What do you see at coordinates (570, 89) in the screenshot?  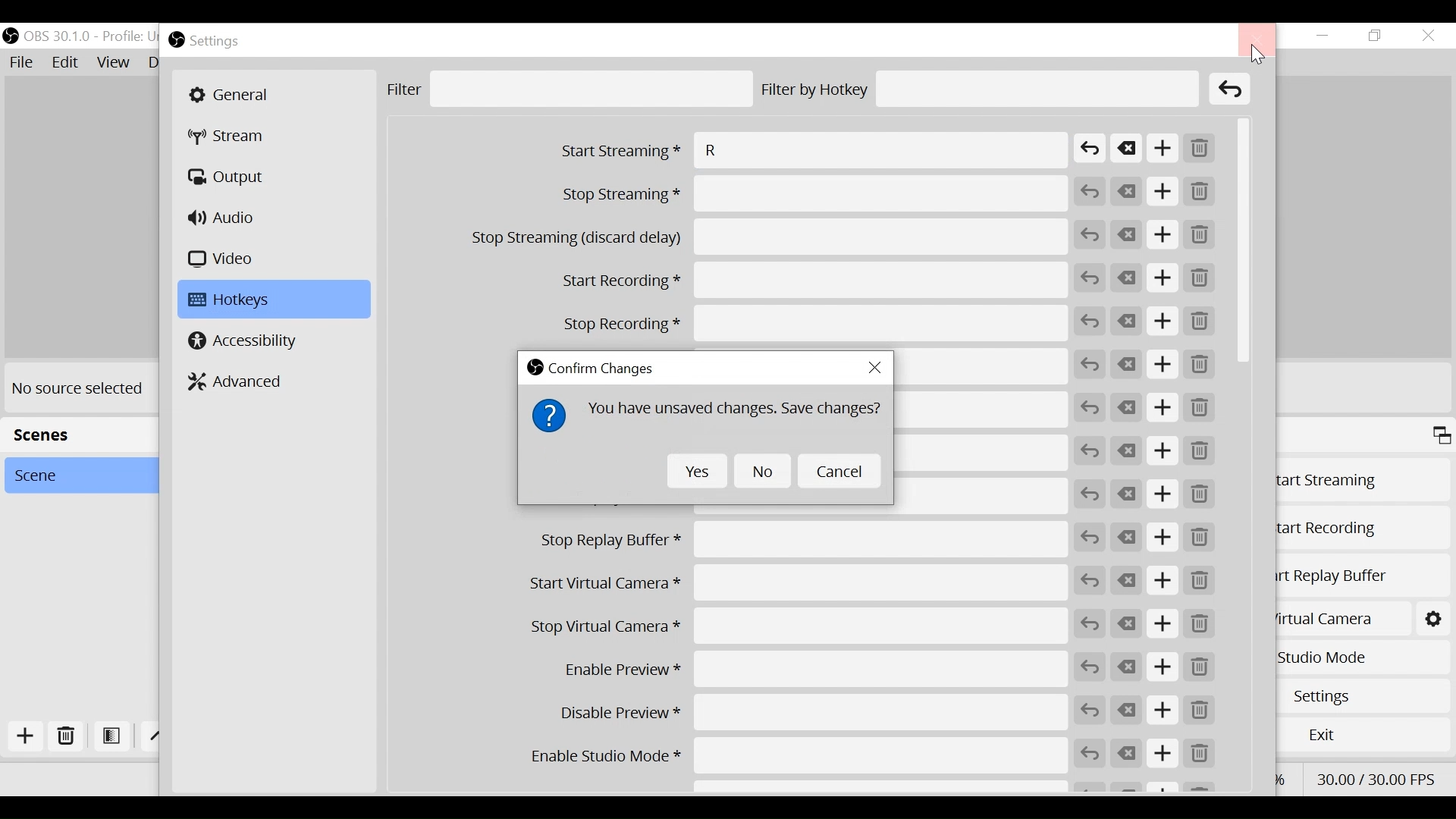 I see `Filter` at bounding box center [570, 89].